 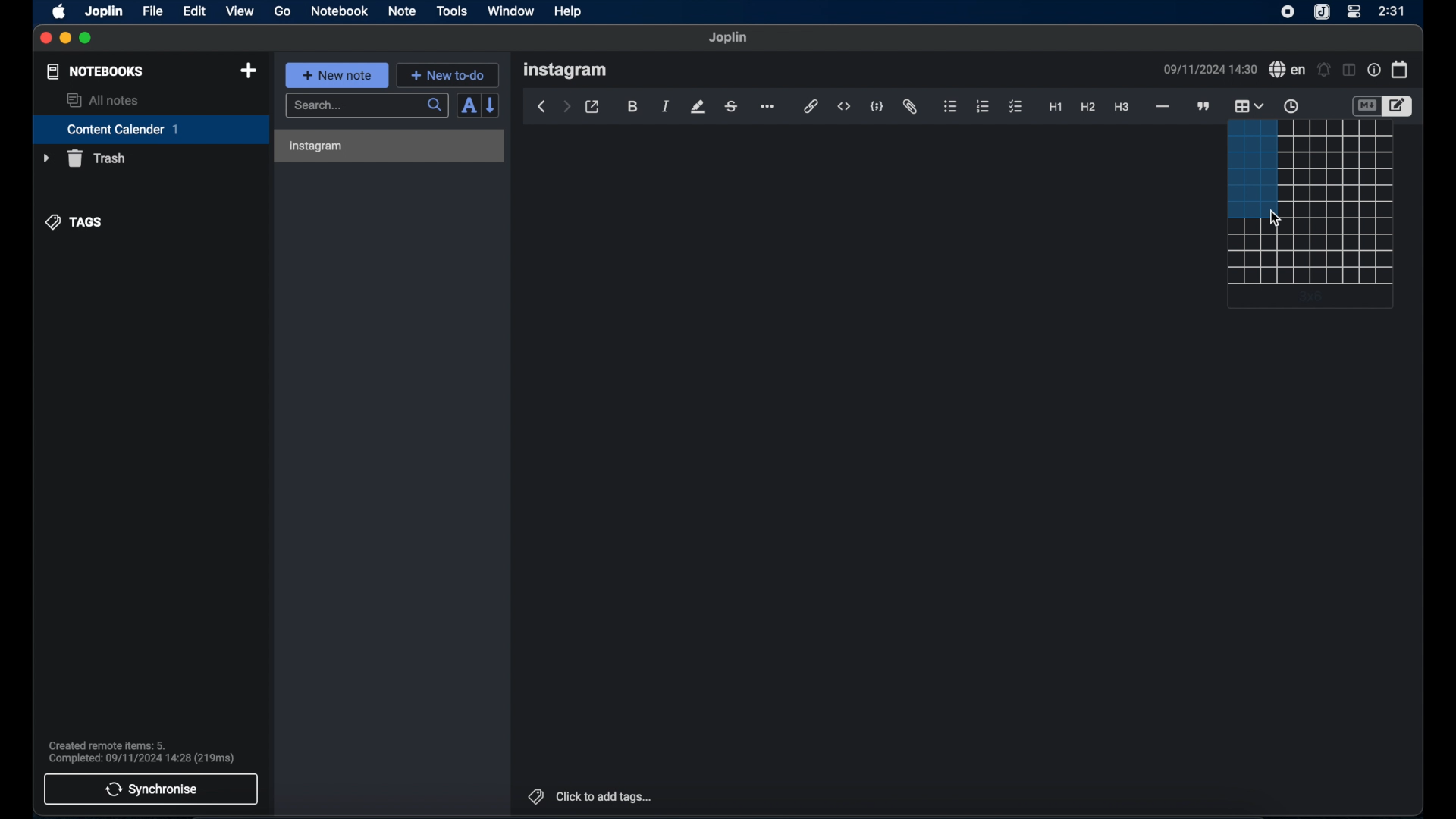 I want to click on note, so click(x=402, y=12).